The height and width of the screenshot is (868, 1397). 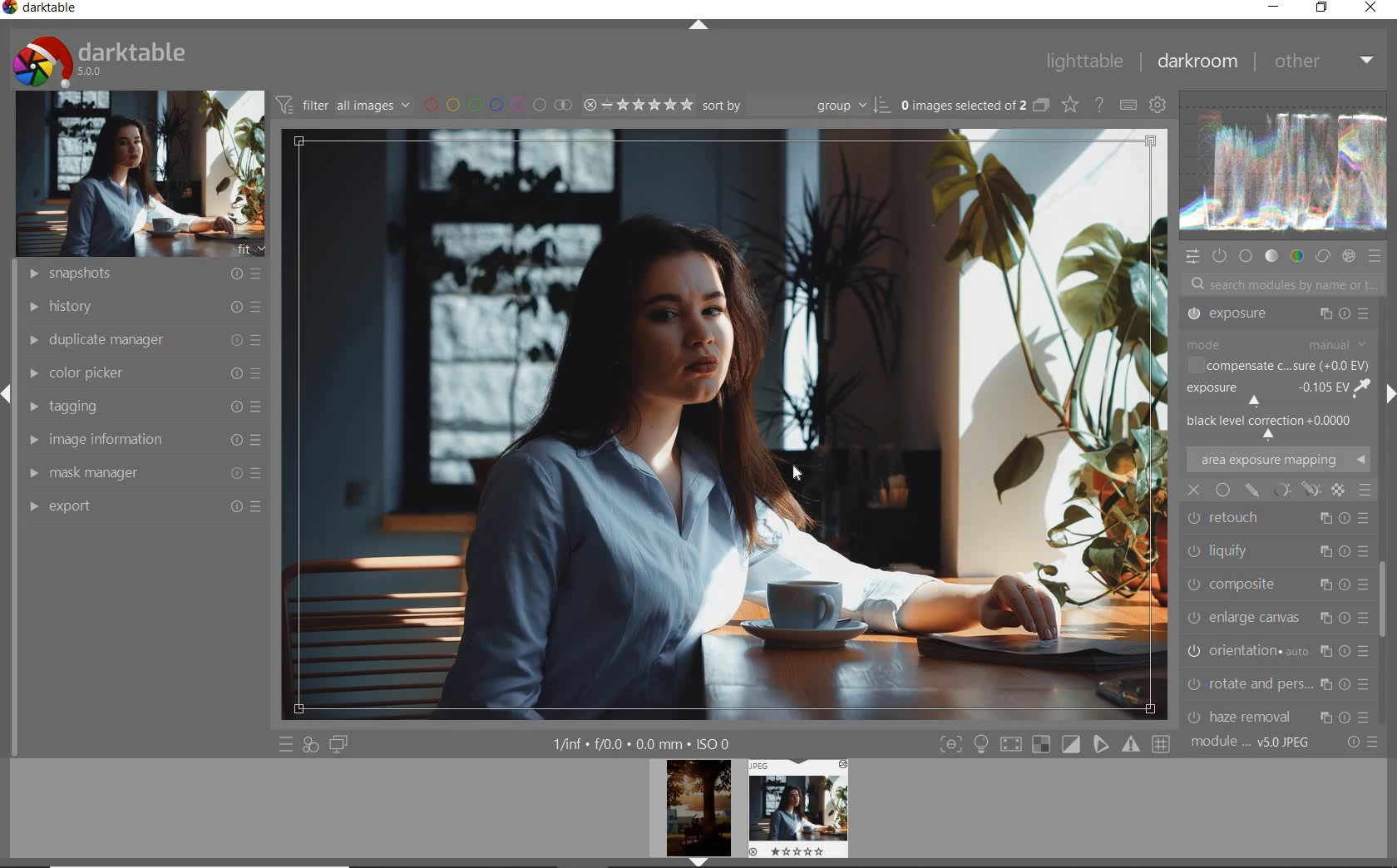 What do you see at coordinates (1276, 650) in the screenshot?
I see `CHROMATIC ABER` at bounding box center [1276, 650].